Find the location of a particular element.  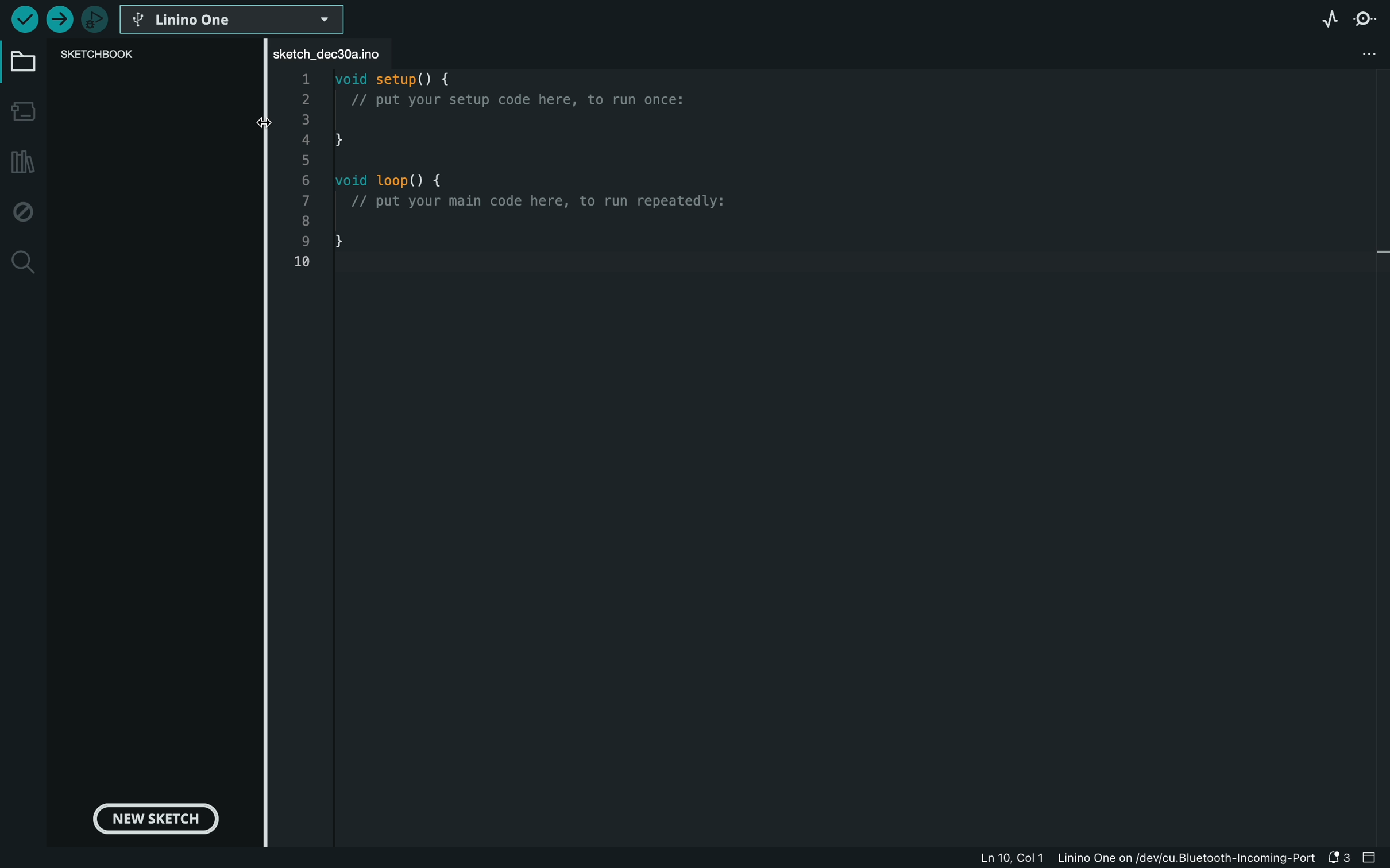

sketch book is located at coordinates (107, 56).